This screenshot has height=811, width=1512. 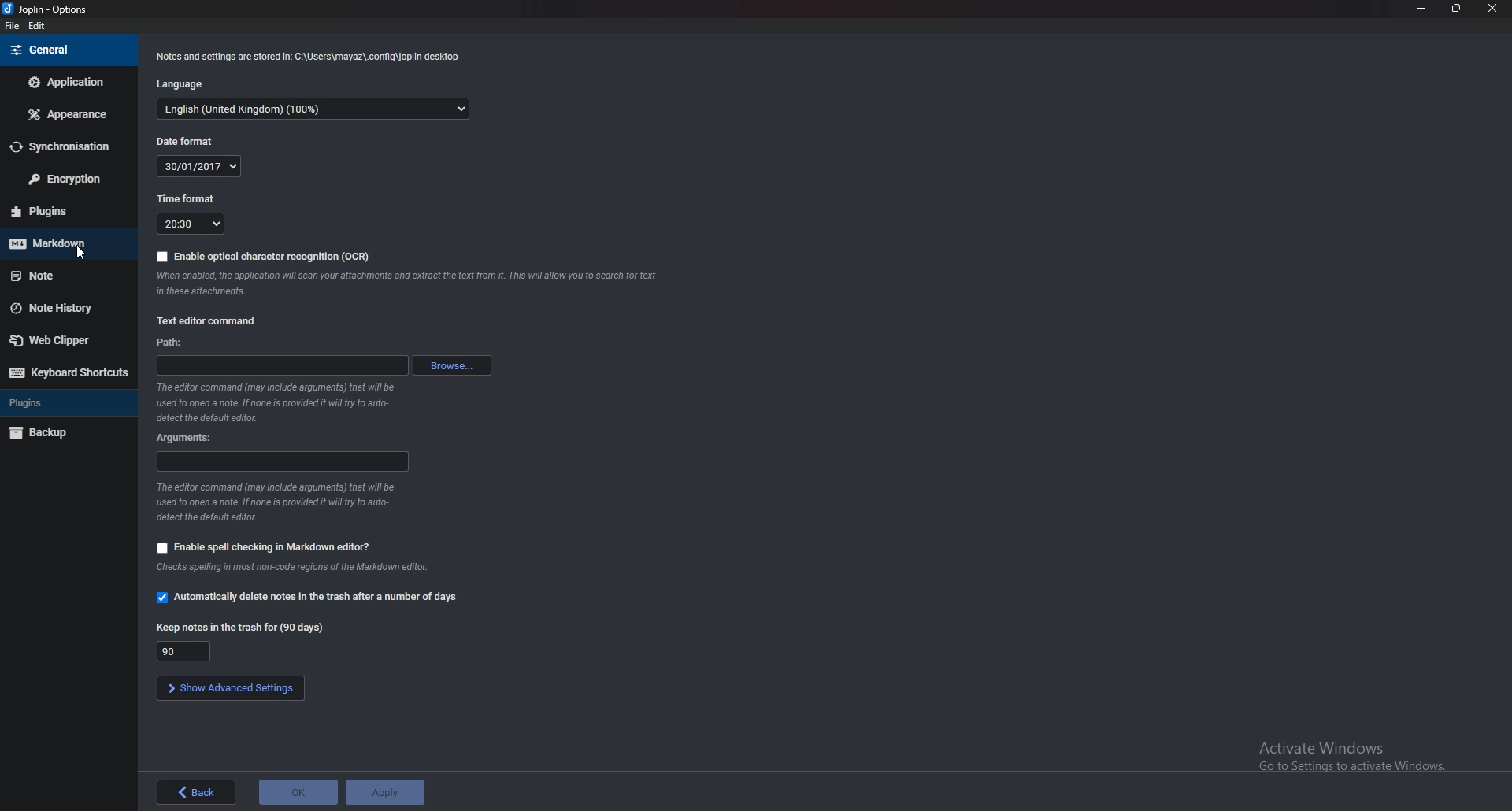 I want to click on Time format, so click(x=191, y=224).